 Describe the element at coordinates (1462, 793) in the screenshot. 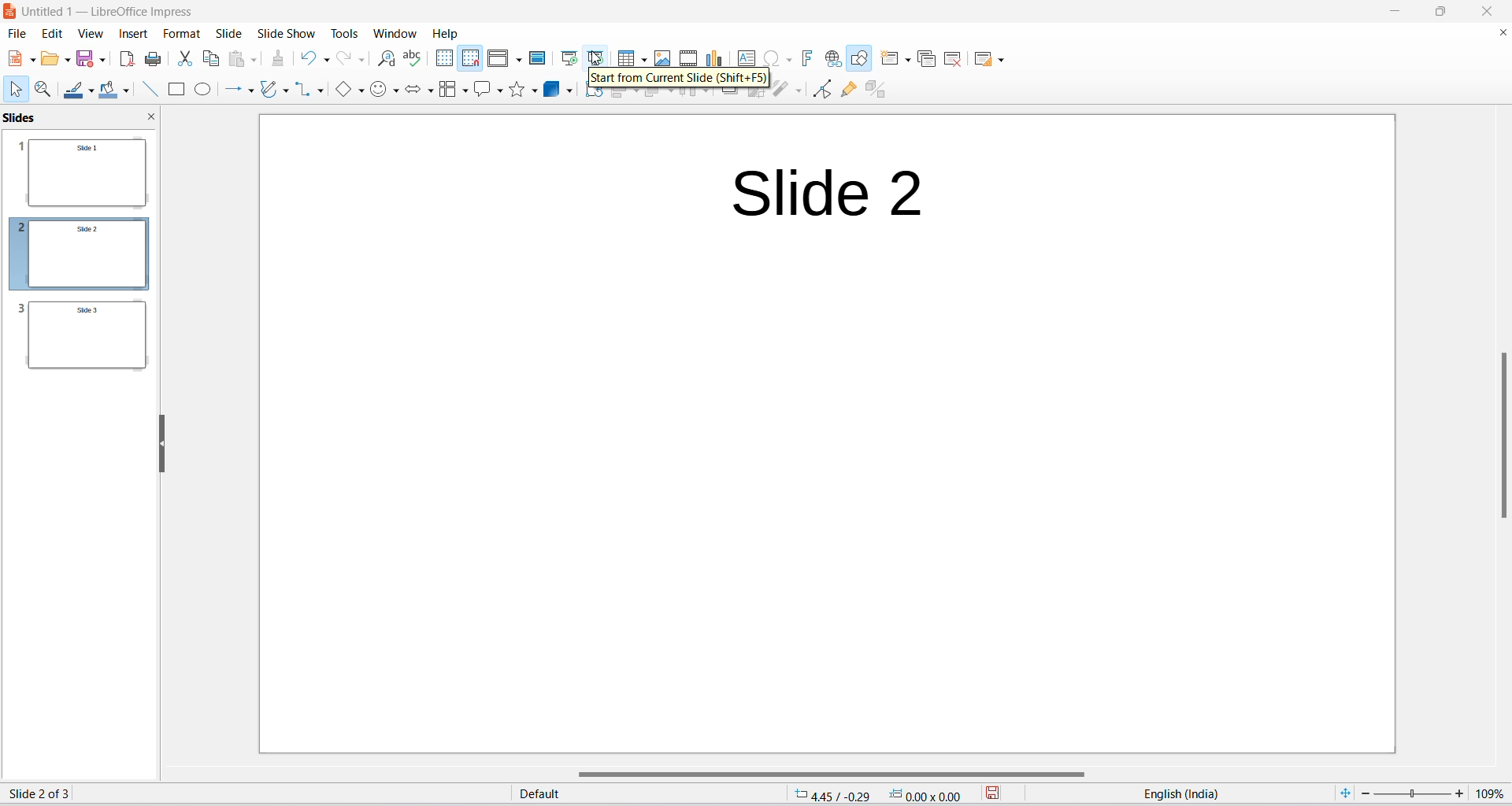

I see `increase zoom` at that location.